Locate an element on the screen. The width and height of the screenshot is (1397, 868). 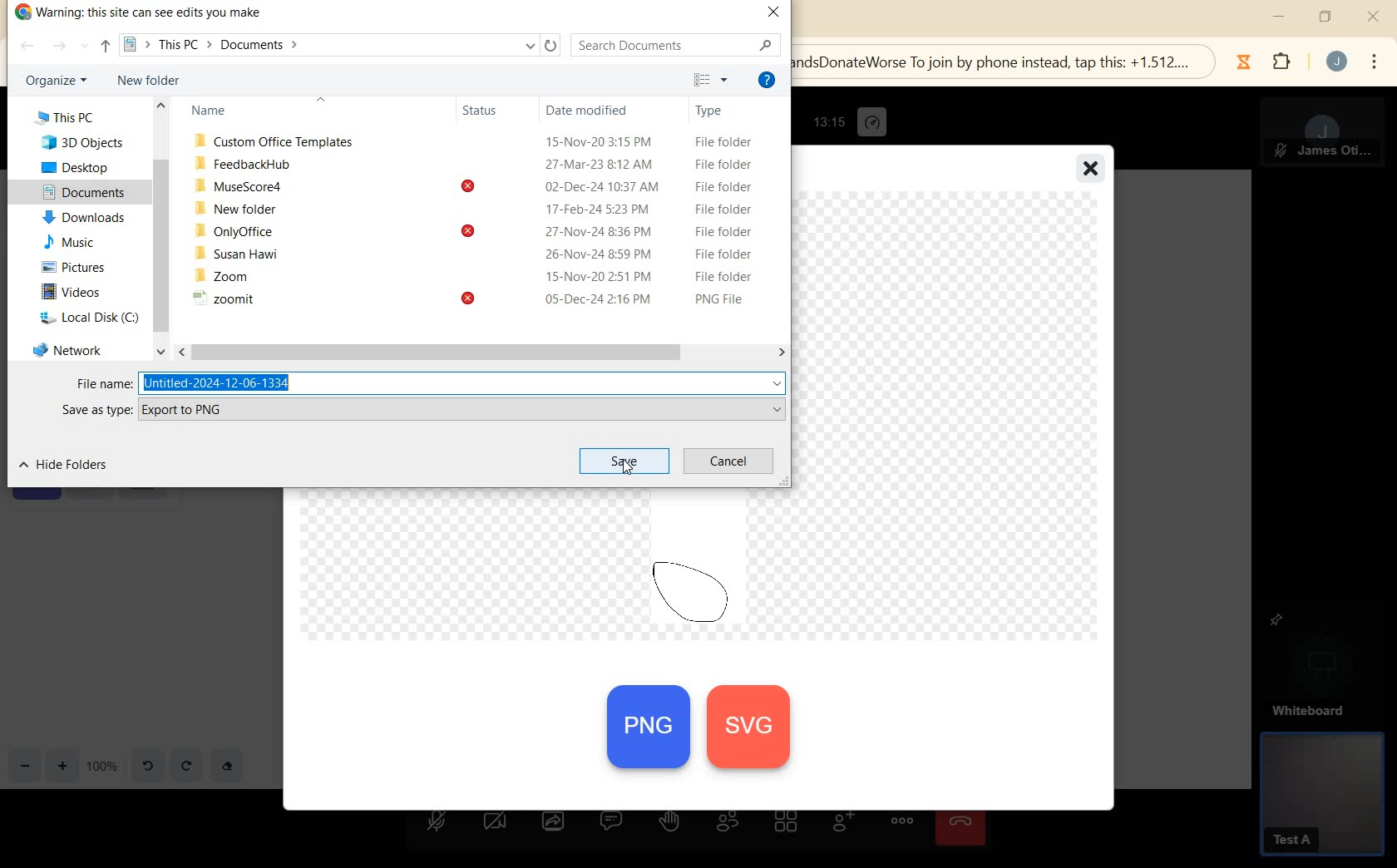
GUEST PANEL VIEW is located at coordinates (1321, 798).